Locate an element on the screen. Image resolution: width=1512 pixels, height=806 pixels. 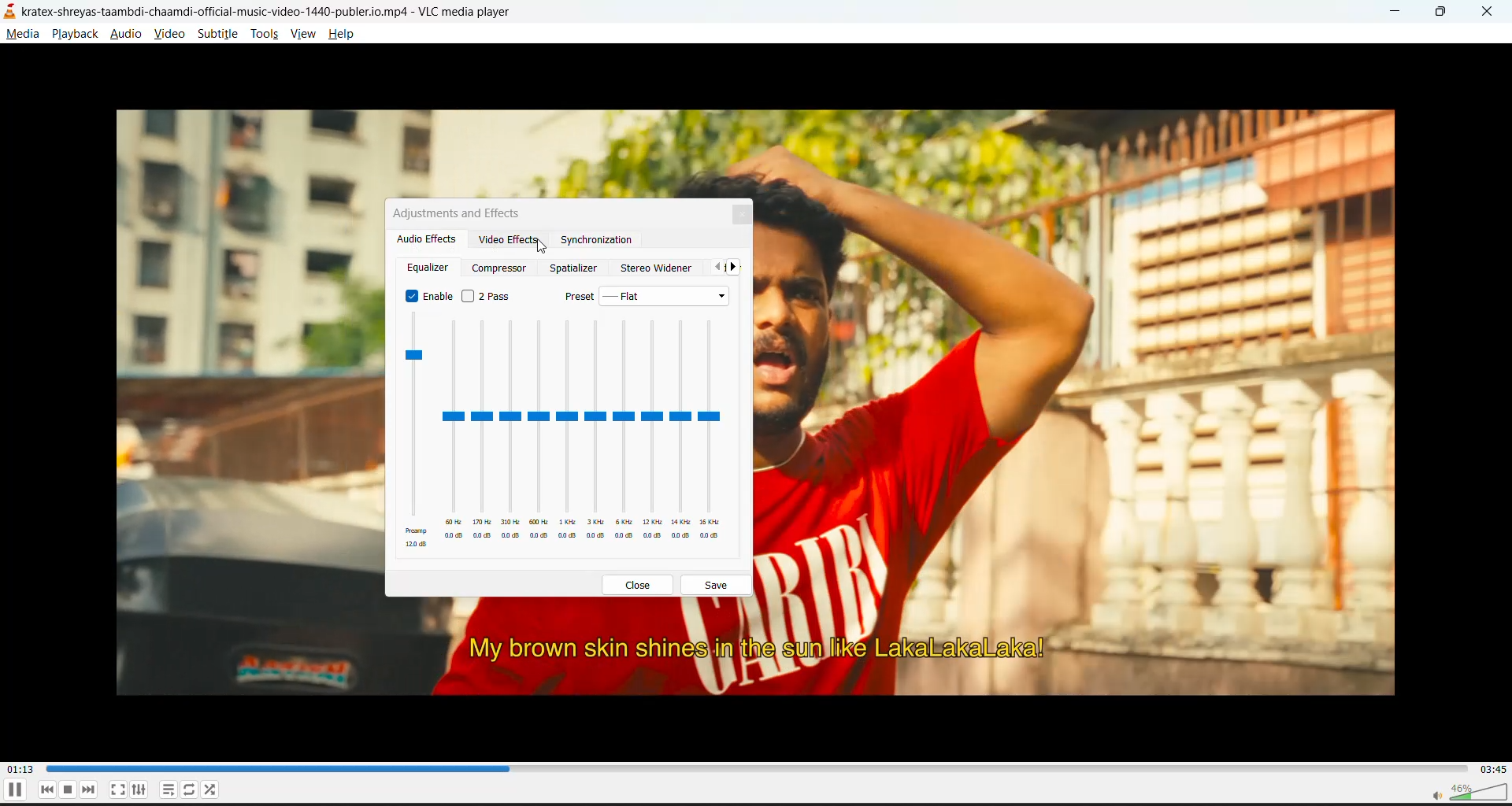
current track time is located at coordinates (23, 767).